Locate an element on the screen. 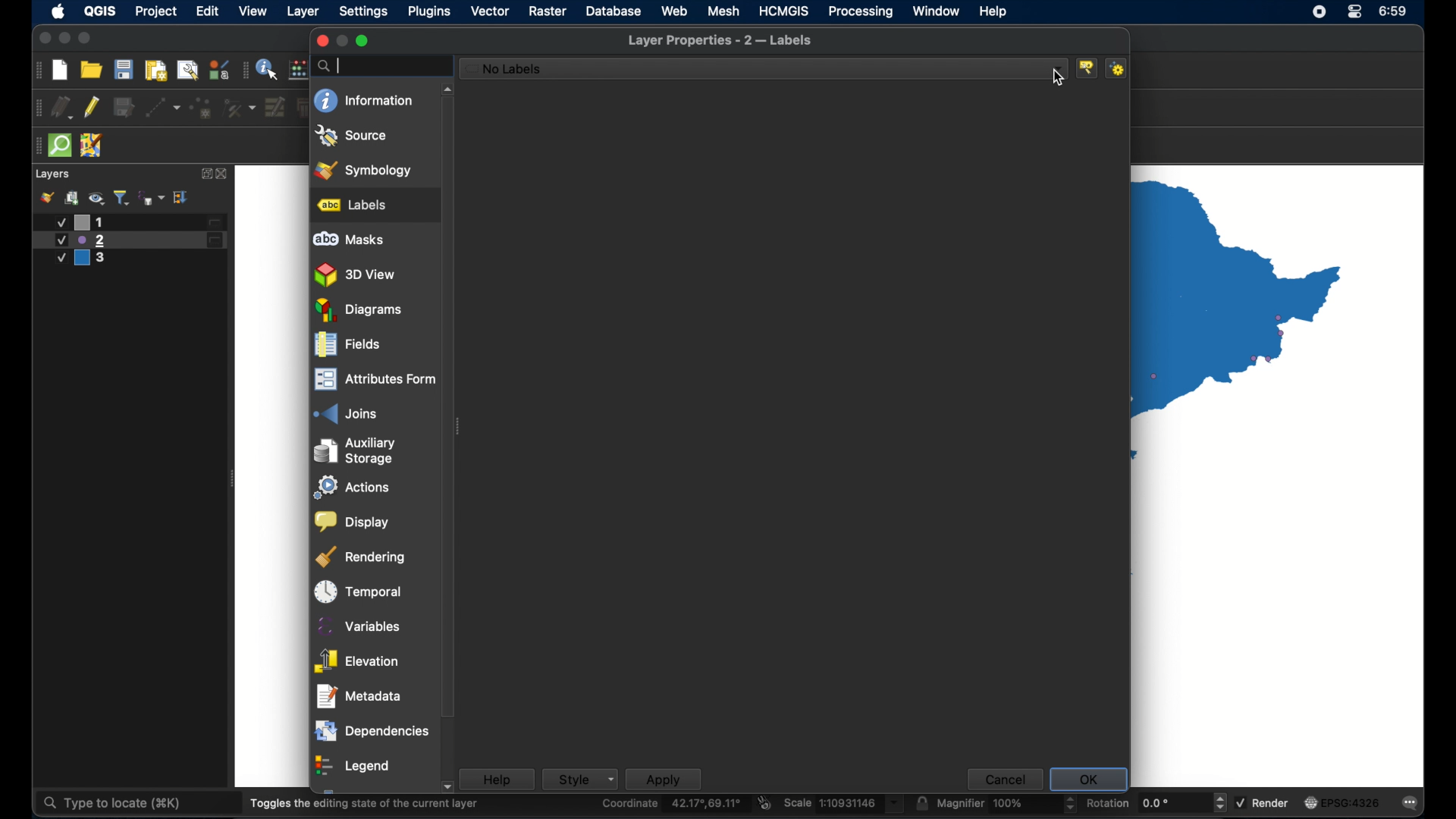 The image size is (1456, 819). identify feature is located at coordinates (268, 68).